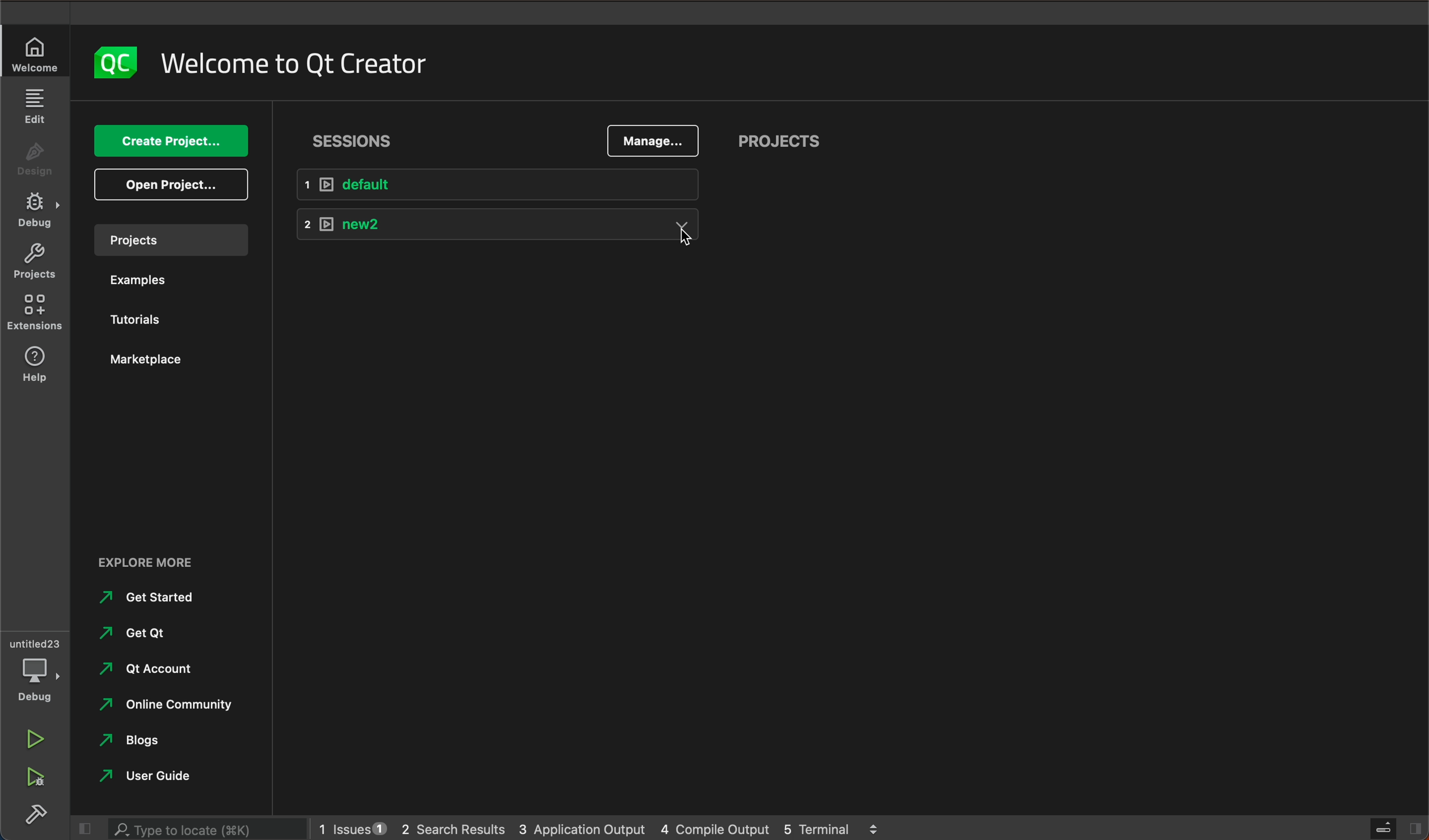 The width and height of the screenshot is (1429, 840). Describe the element at coordinates (137, 740) in the screenshot. I see `blogs` at that location.